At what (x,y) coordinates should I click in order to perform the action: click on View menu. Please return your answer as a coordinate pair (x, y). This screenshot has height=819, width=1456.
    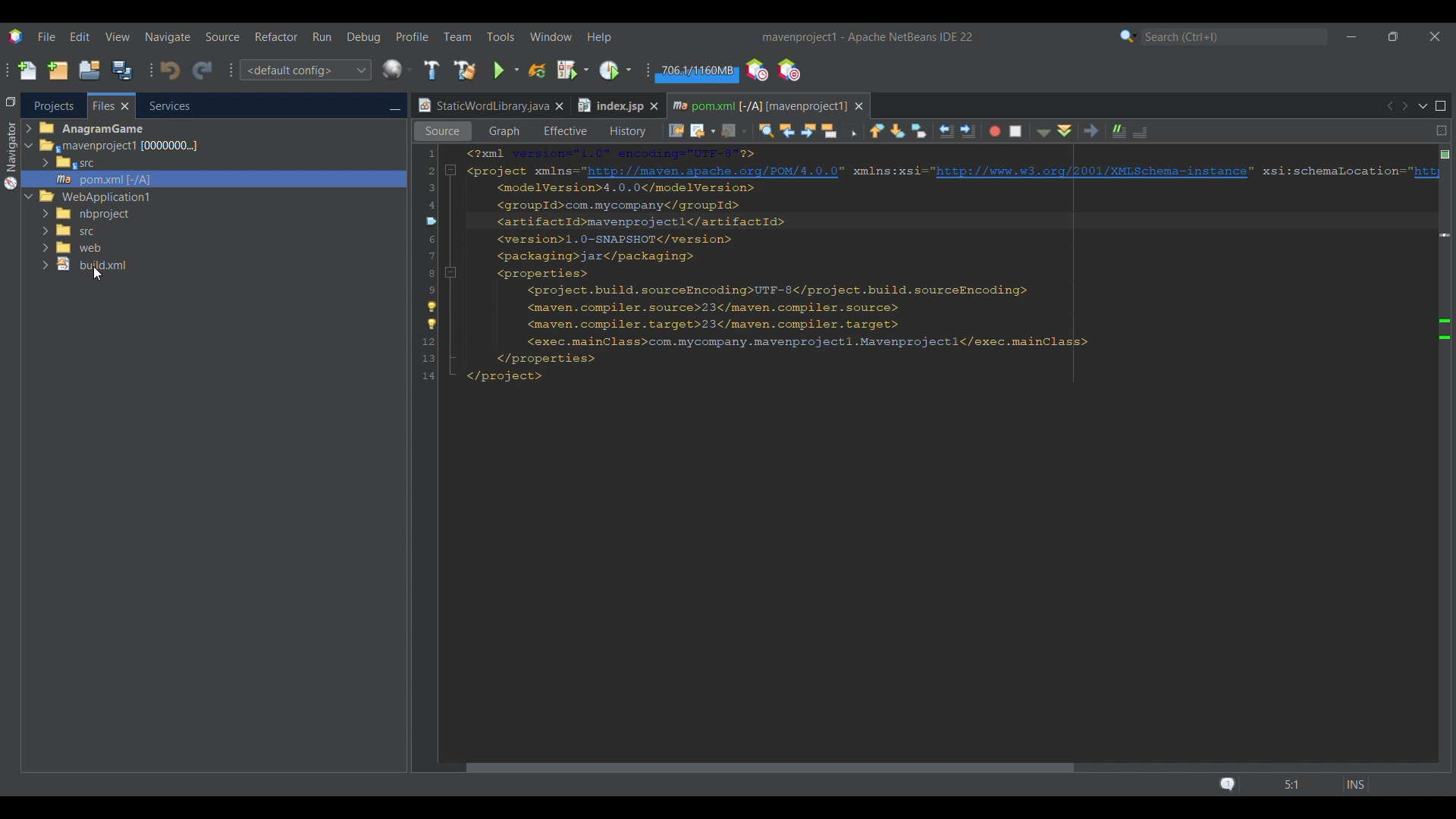
    Looking at the image, I should click on (118, 37).